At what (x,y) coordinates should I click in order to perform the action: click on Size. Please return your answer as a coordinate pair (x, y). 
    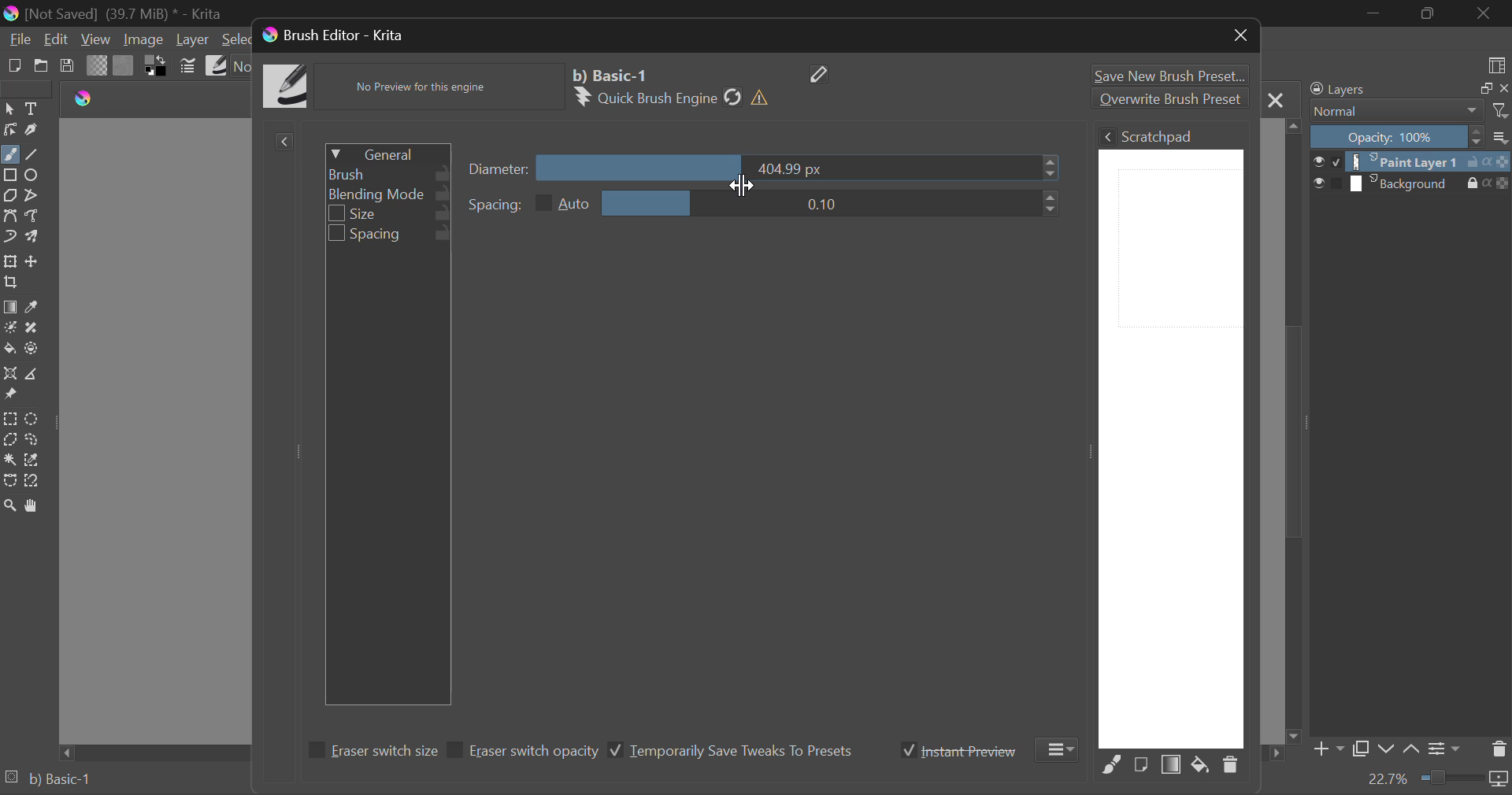
    Looking at the image, I should click on (391, 215).